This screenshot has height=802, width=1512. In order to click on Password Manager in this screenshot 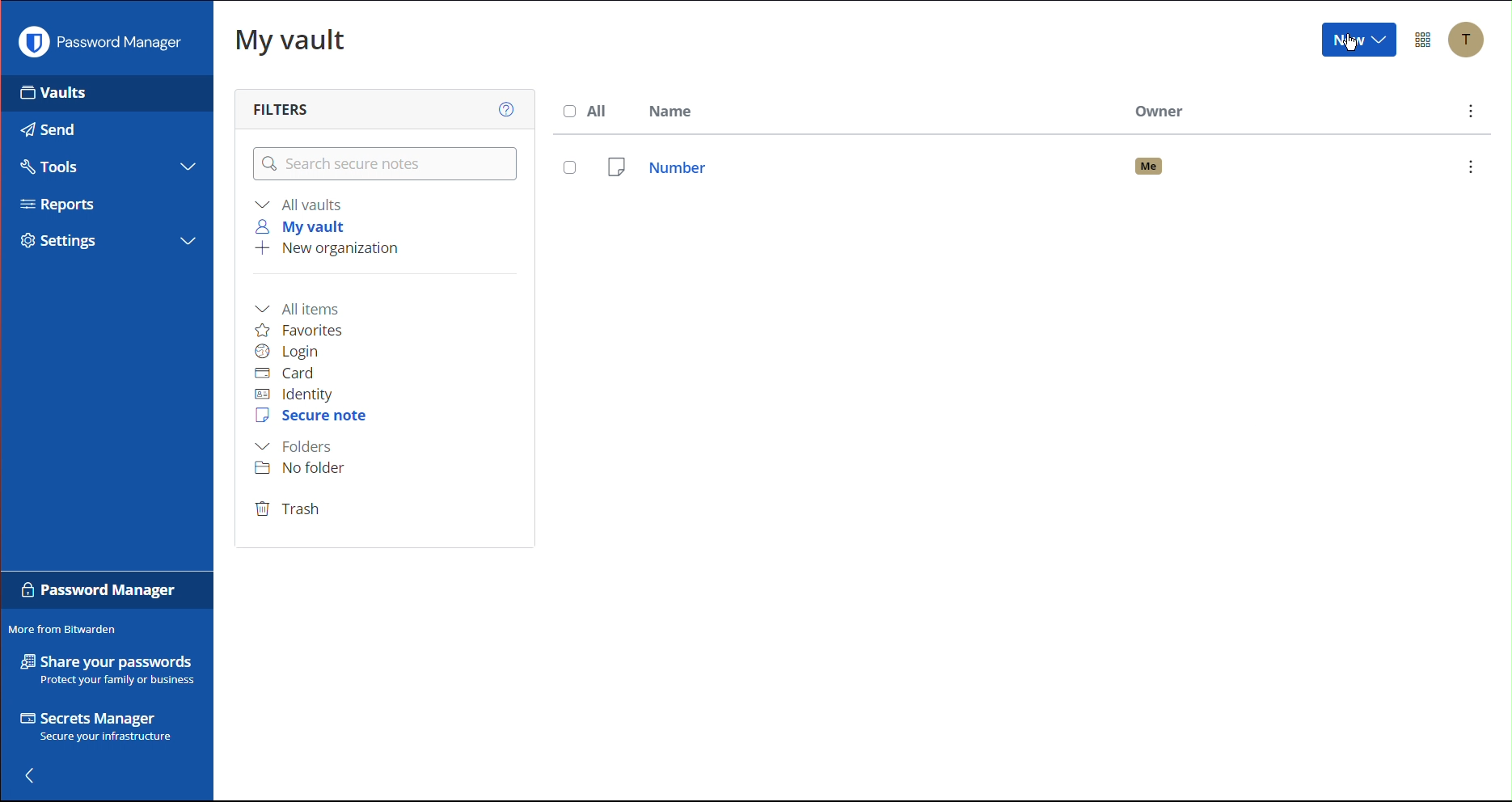, I will do `click(104, 42)`.